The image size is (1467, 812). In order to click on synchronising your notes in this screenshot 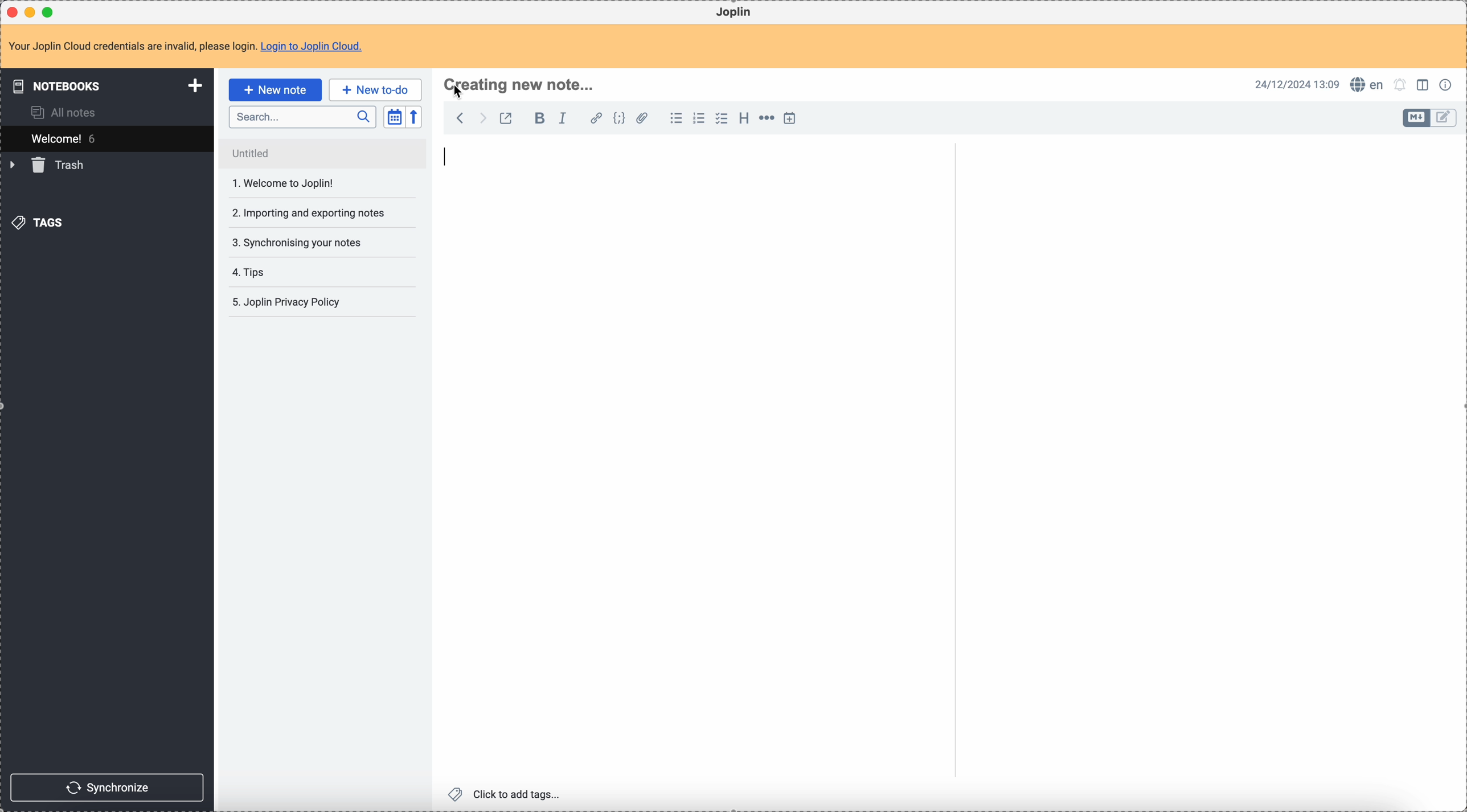, I will do `click(298, 241)`.